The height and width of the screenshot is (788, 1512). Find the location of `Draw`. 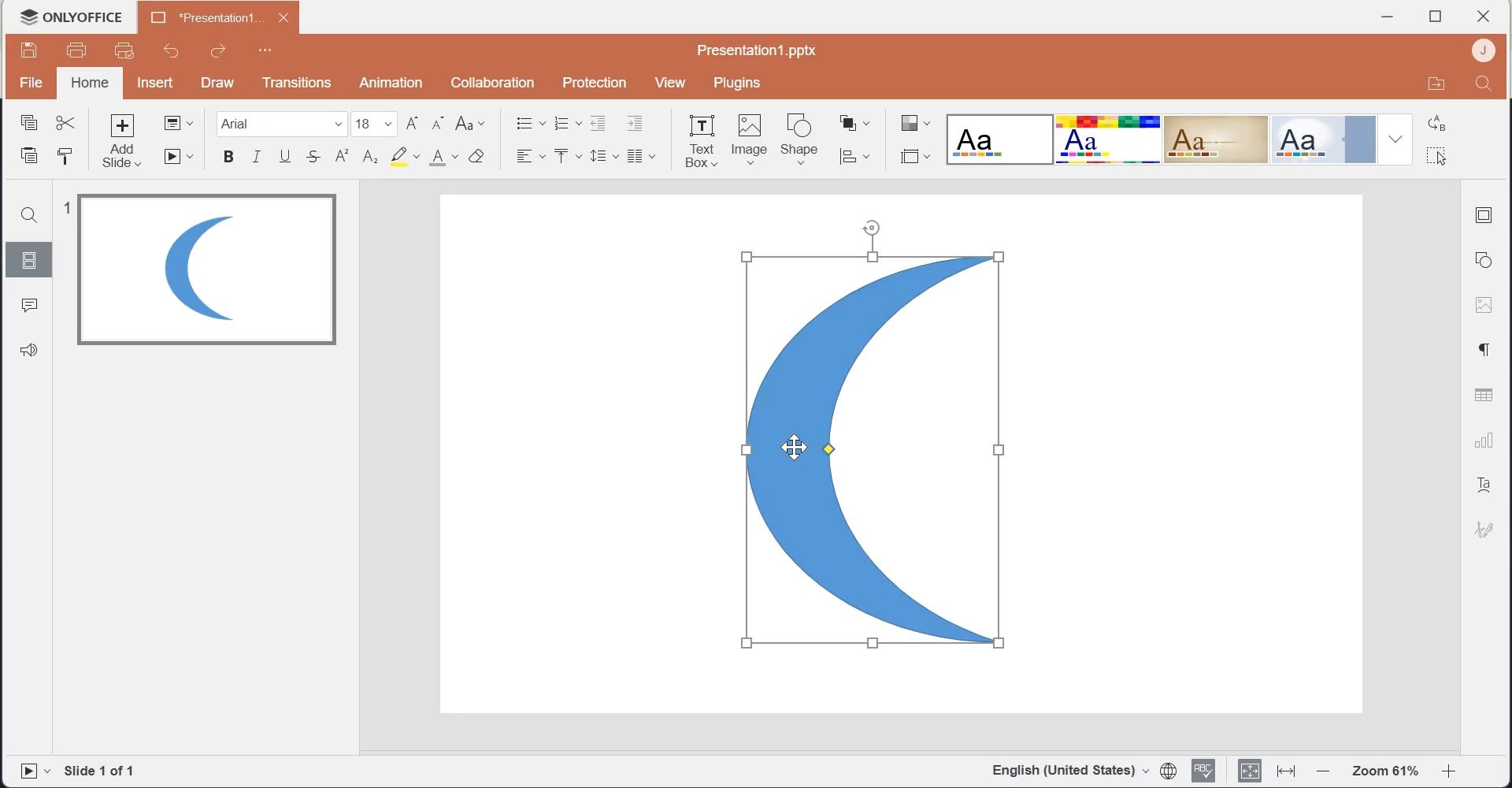

Draw is located at coordinates (215, 84).